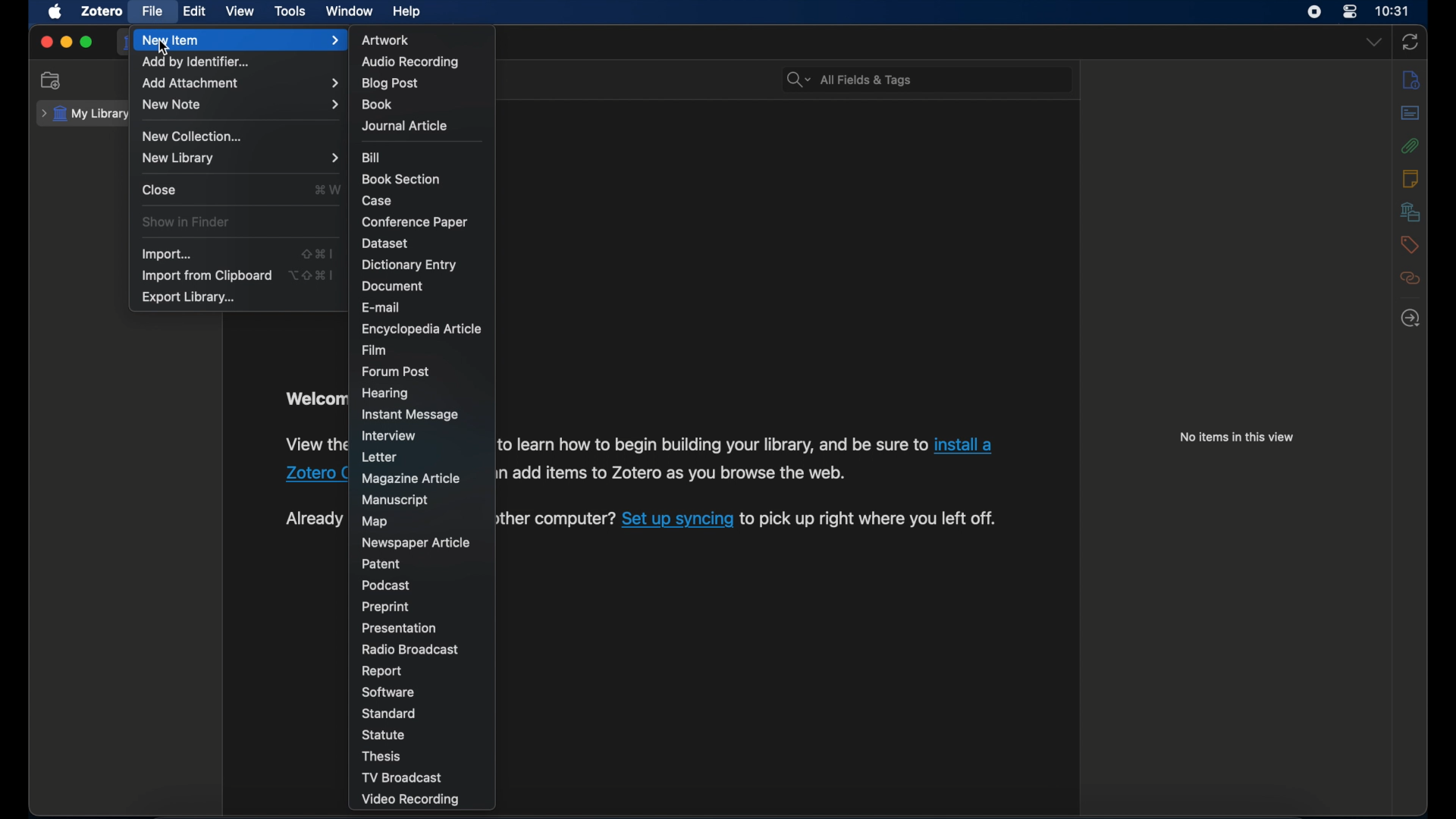 The image size is (1456, 819). What do you see at coordinates (378, 201) in the screenshot?
I see `case` at bounding box center [378, 201].